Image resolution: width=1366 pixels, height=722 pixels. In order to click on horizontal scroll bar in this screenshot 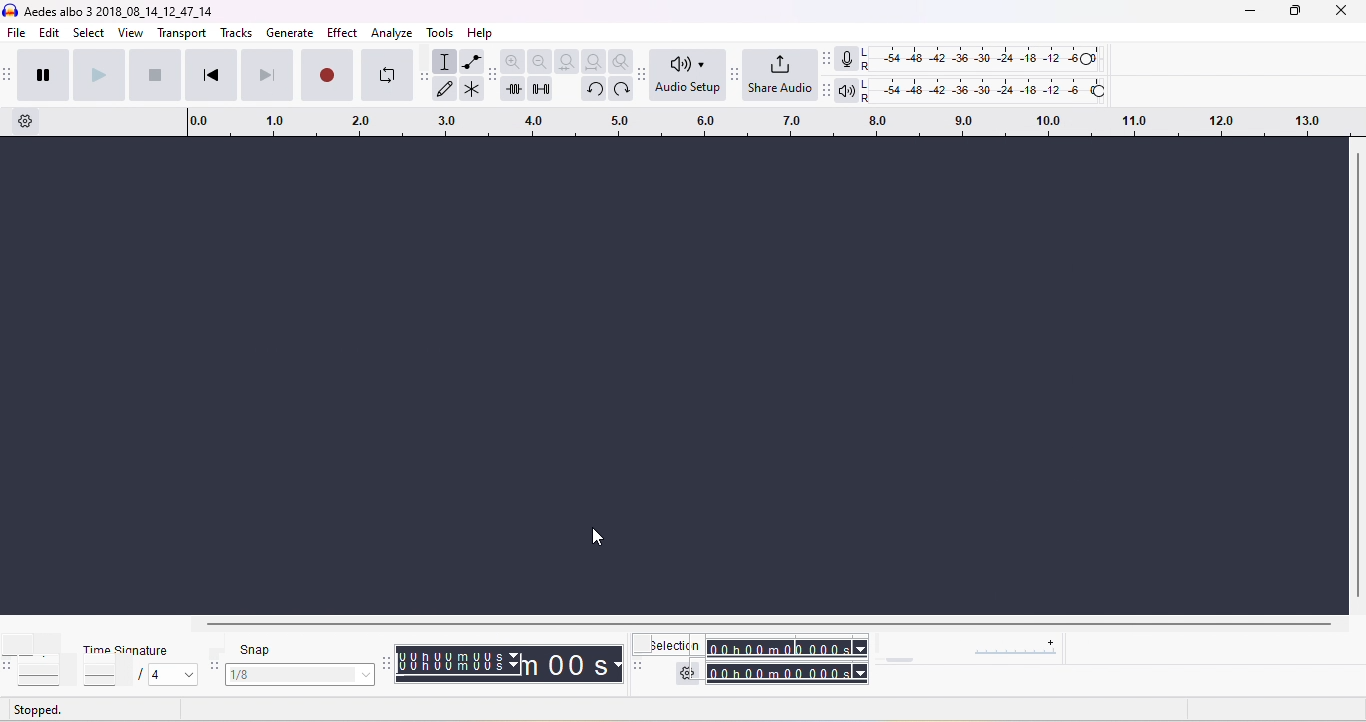, I will do `click(774, 625)`.